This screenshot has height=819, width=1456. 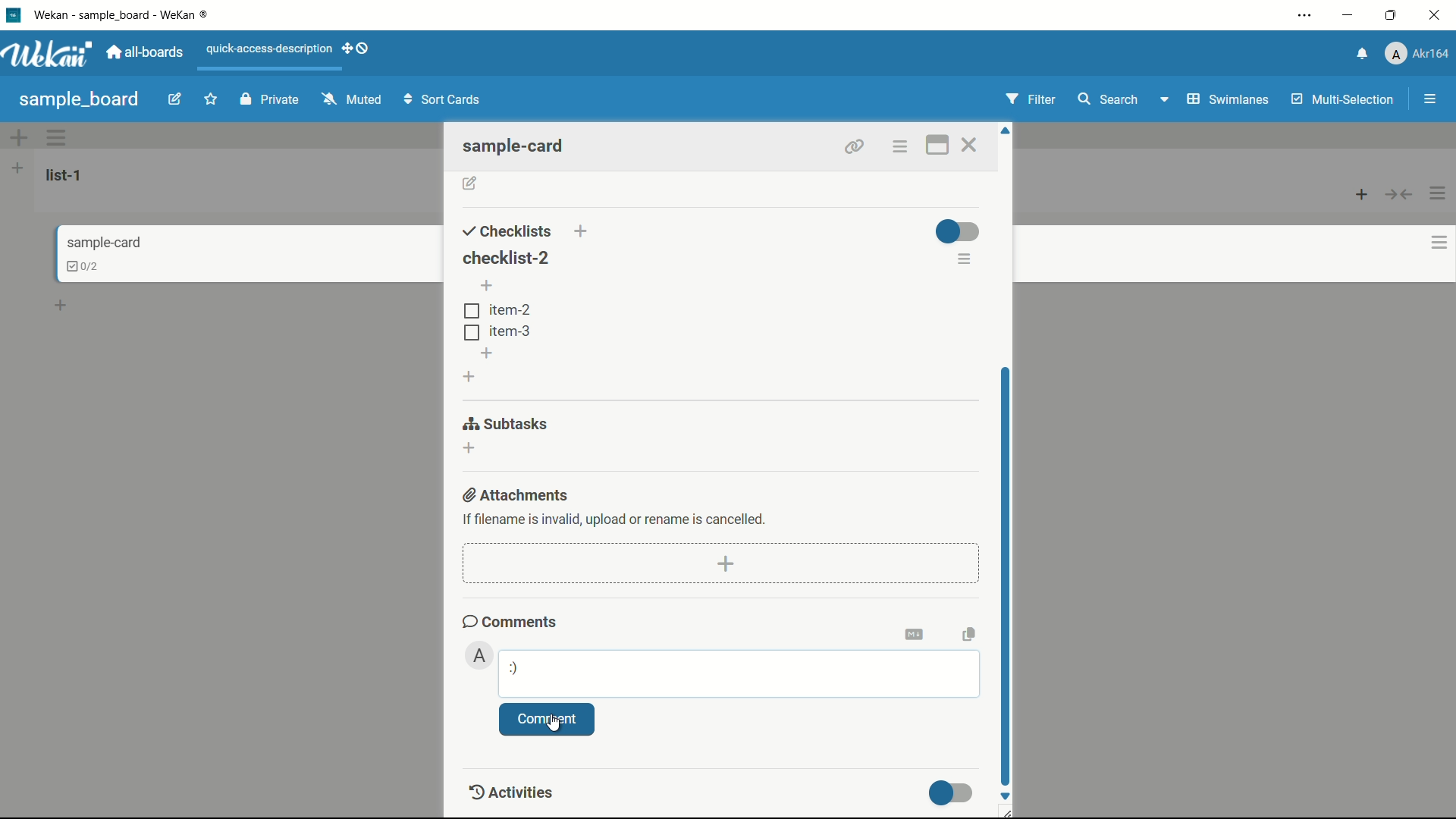 What do you see at coordinates (1350, 15) in the screenshot?
I see `minimize` at bounding box center [1350, 15].